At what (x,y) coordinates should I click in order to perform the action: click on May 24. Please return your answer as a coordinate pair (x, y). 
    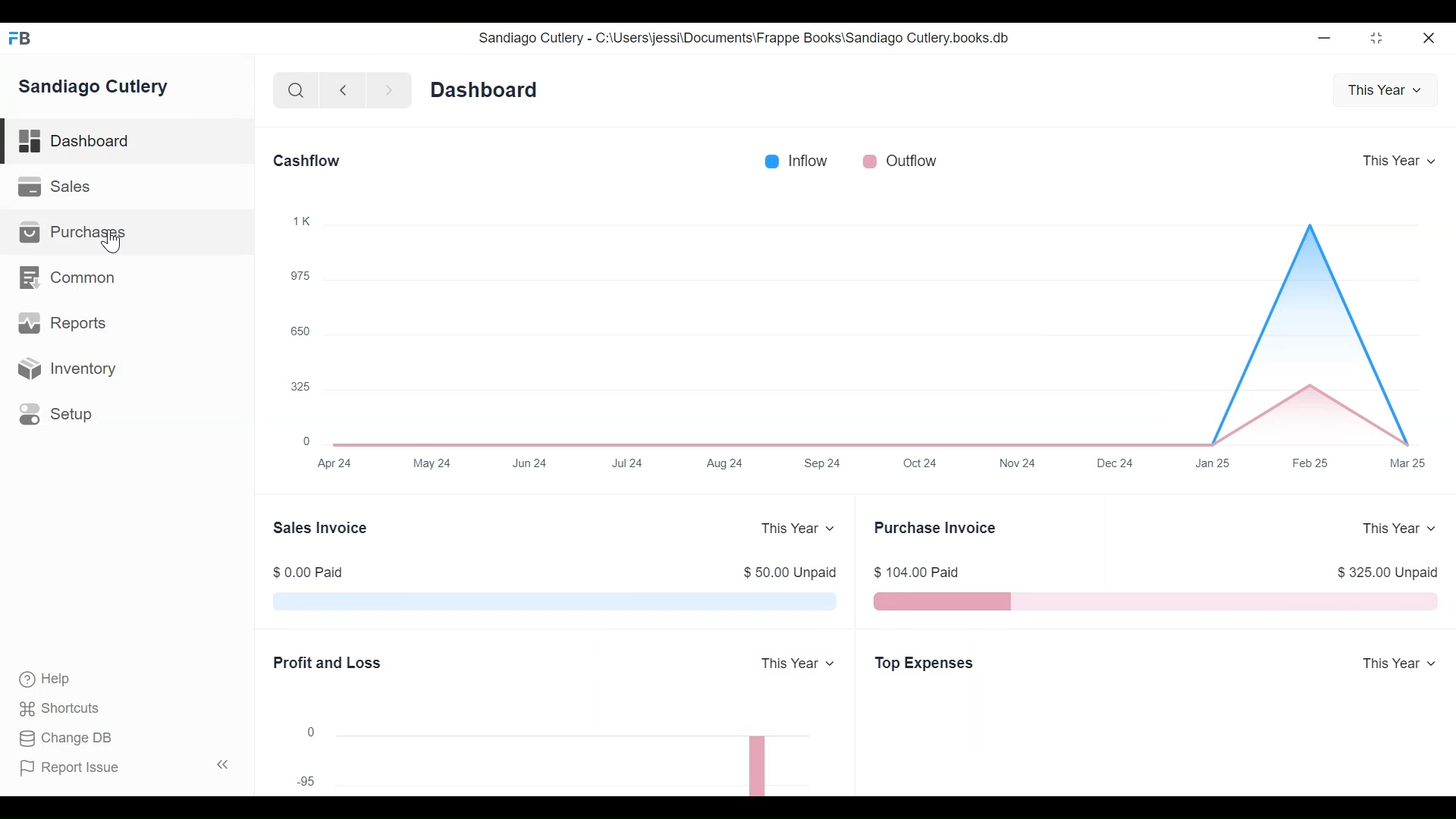
    Looking at the image, I should click on (435, 462).